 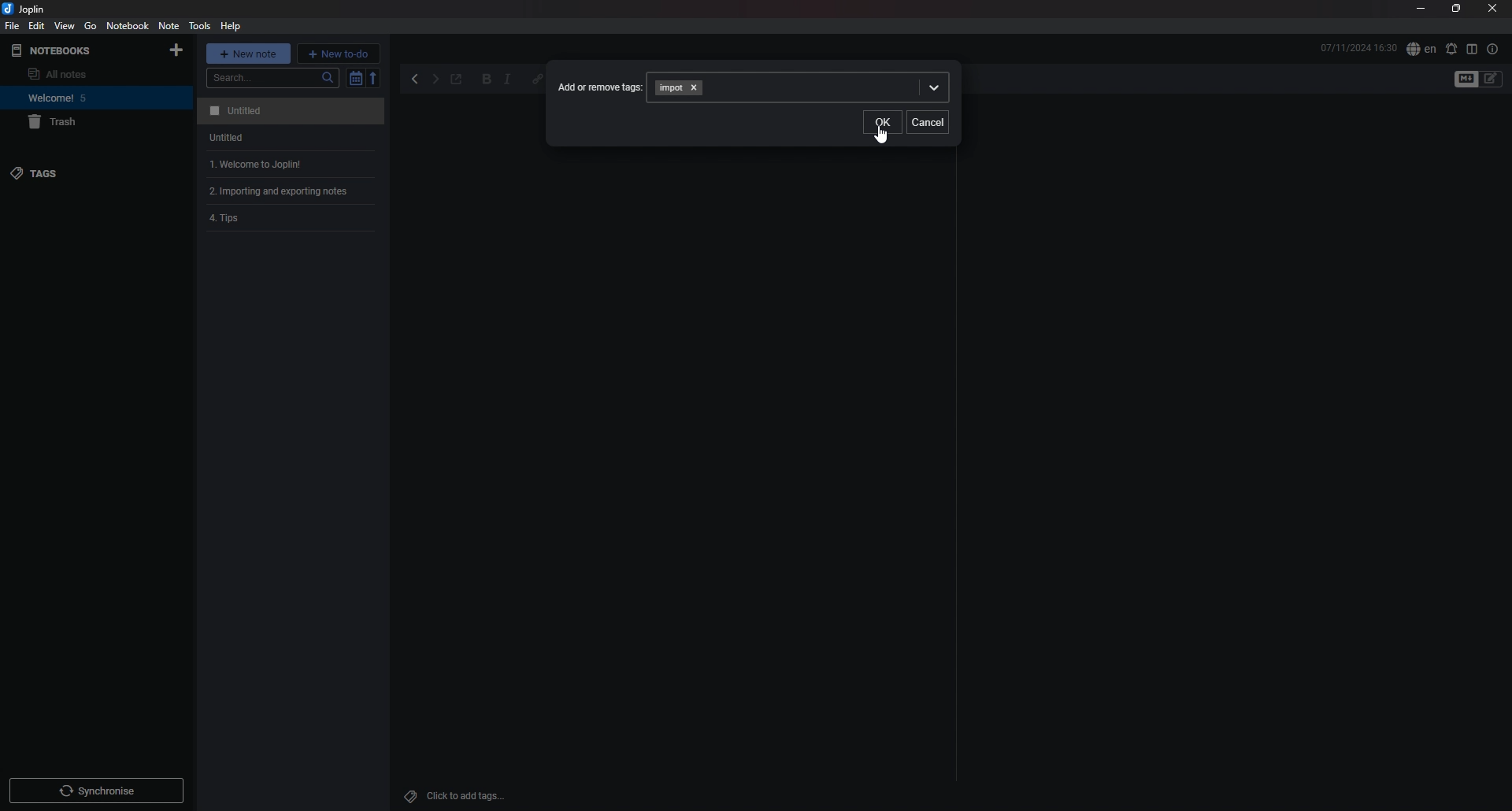 I want to click on go, so click(x=91, y=25).